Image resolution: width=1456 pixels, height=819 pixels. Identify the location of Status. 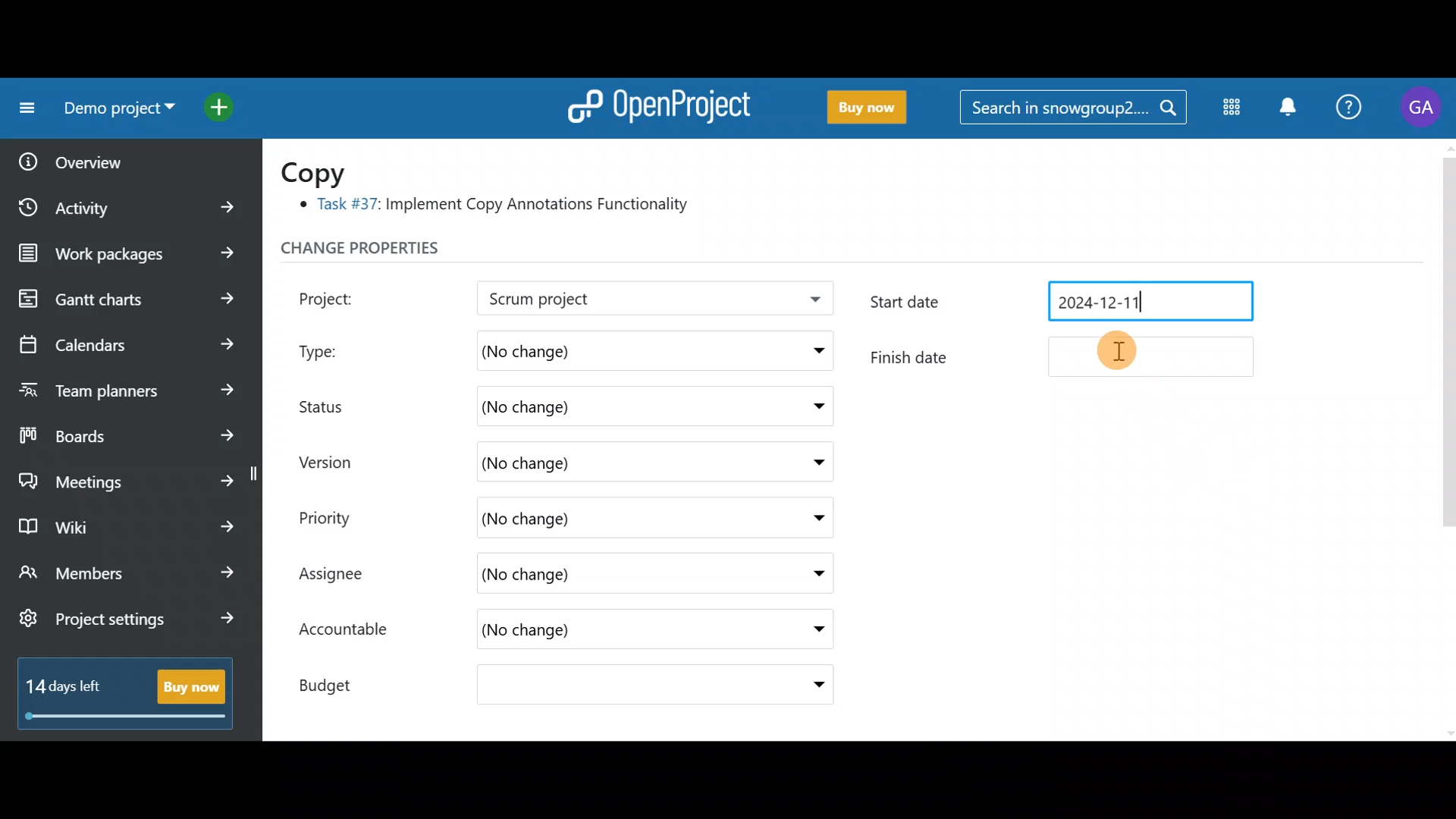
(334, 404).